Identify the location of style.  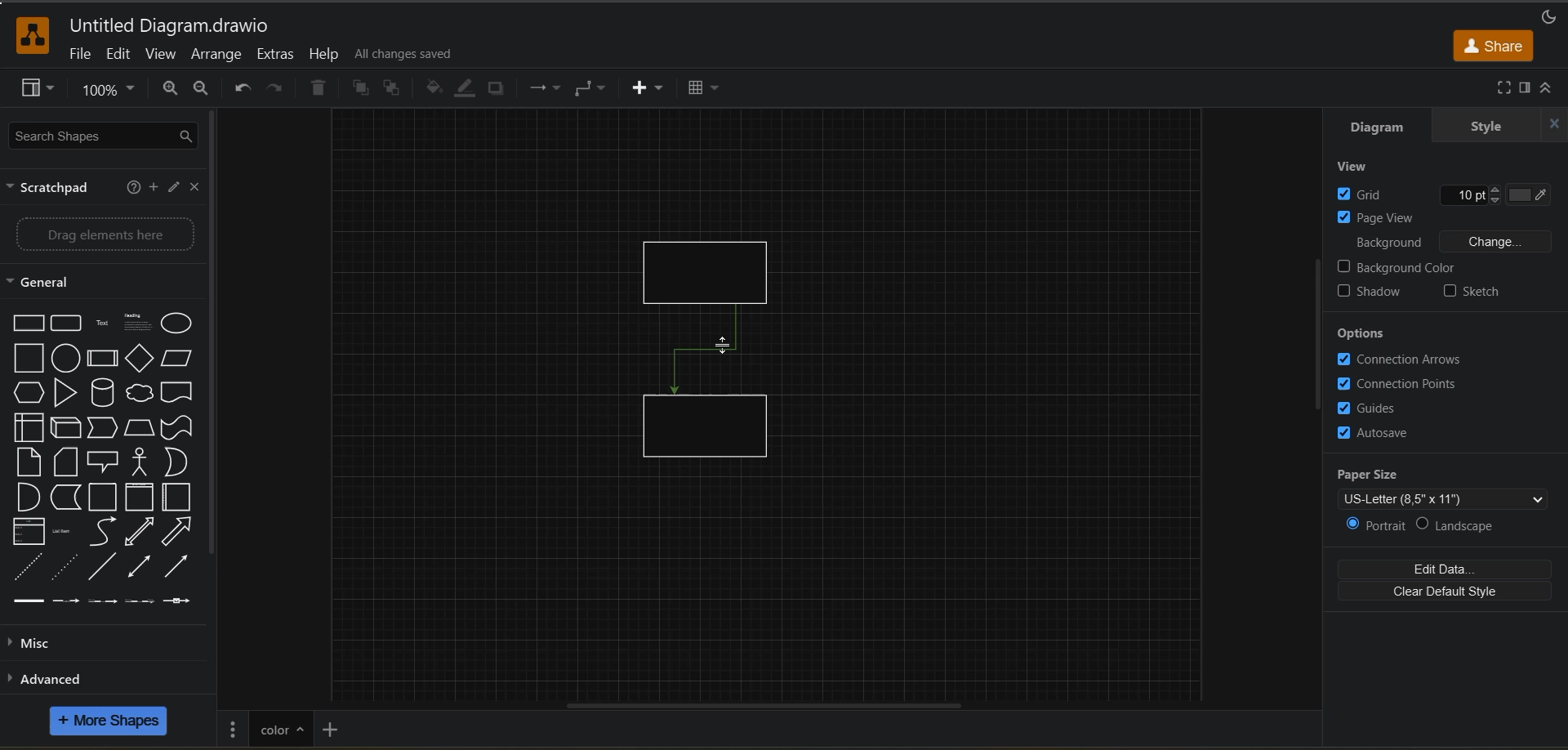
(1485, 127).